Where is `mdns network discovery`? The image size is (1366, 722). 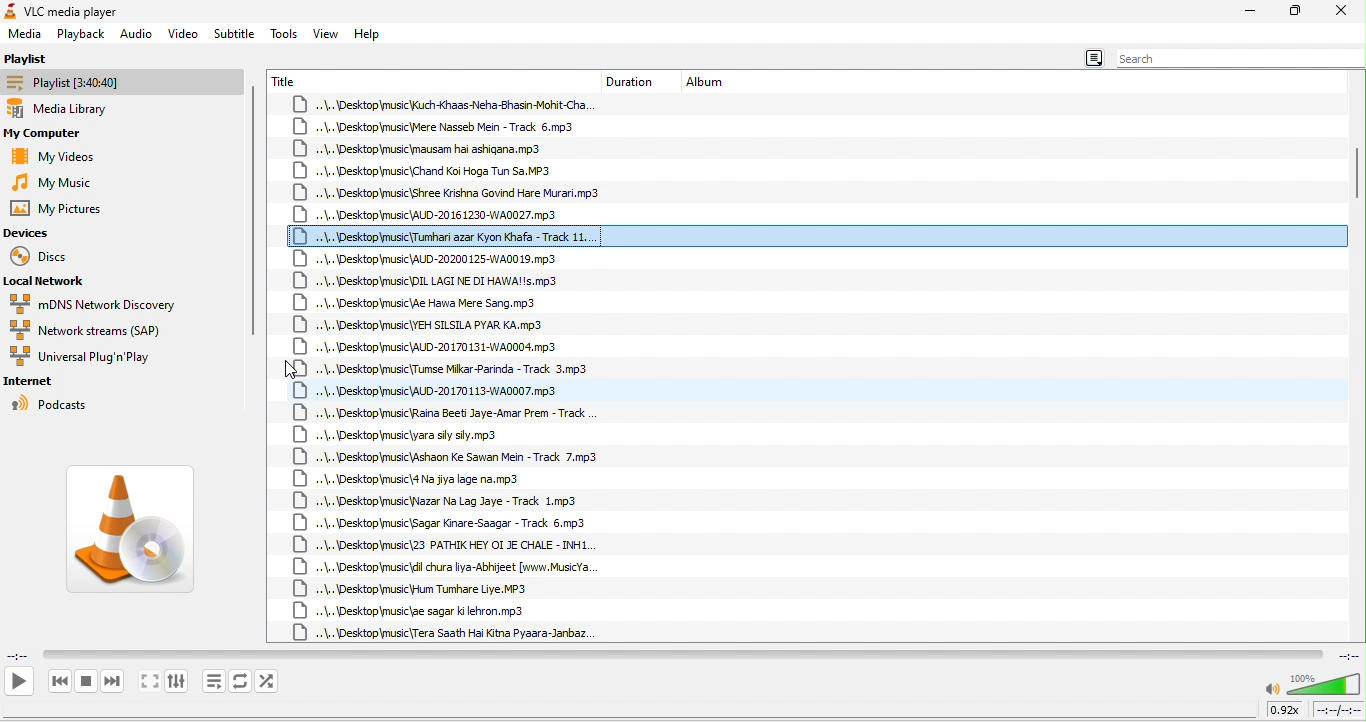
mdns network discovery is located at coordinates (94, 303).